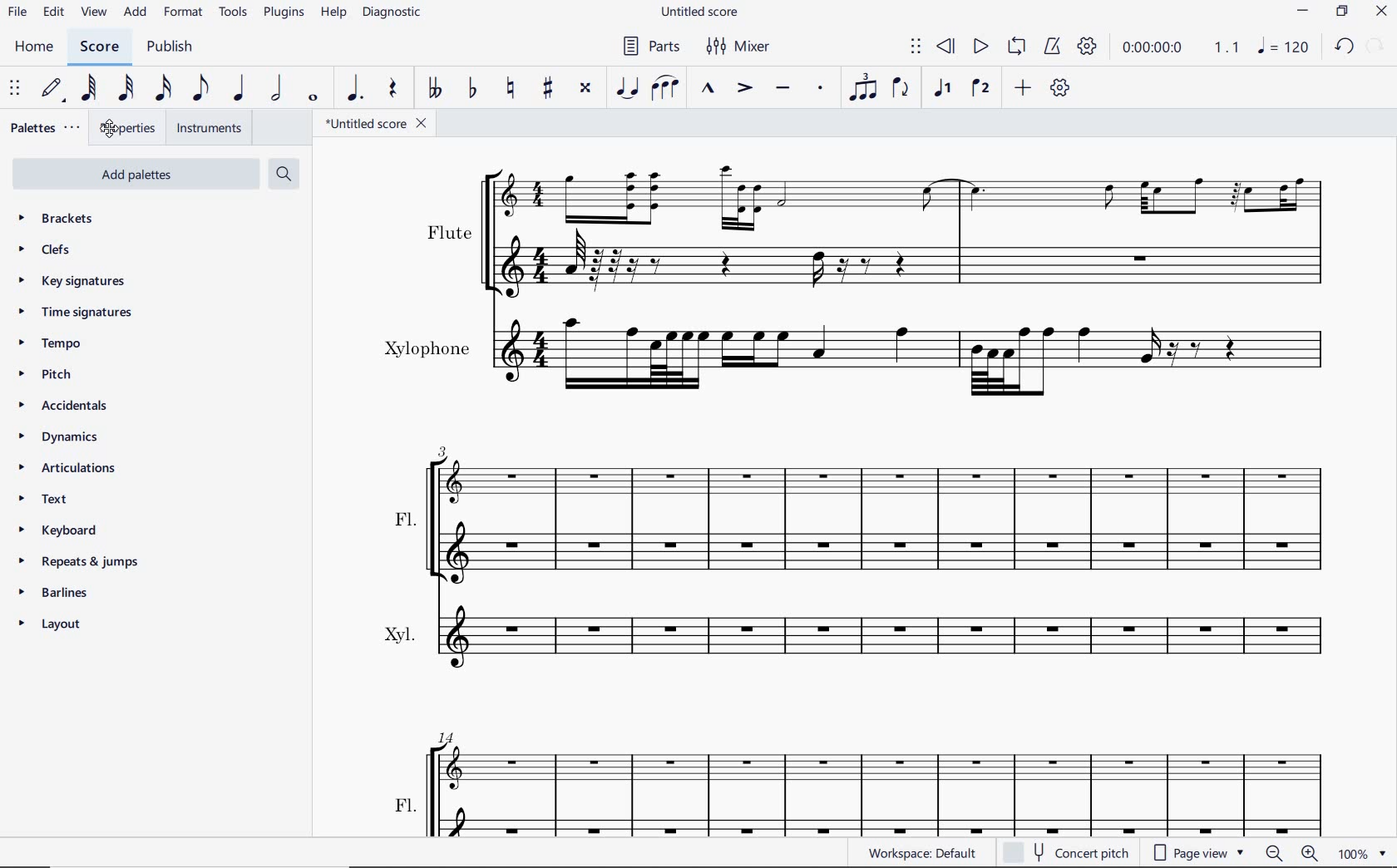  What do you see at coordinates (852, 355) in the screenshot?
I see `Xylophone` at bounding box center [852, 355].